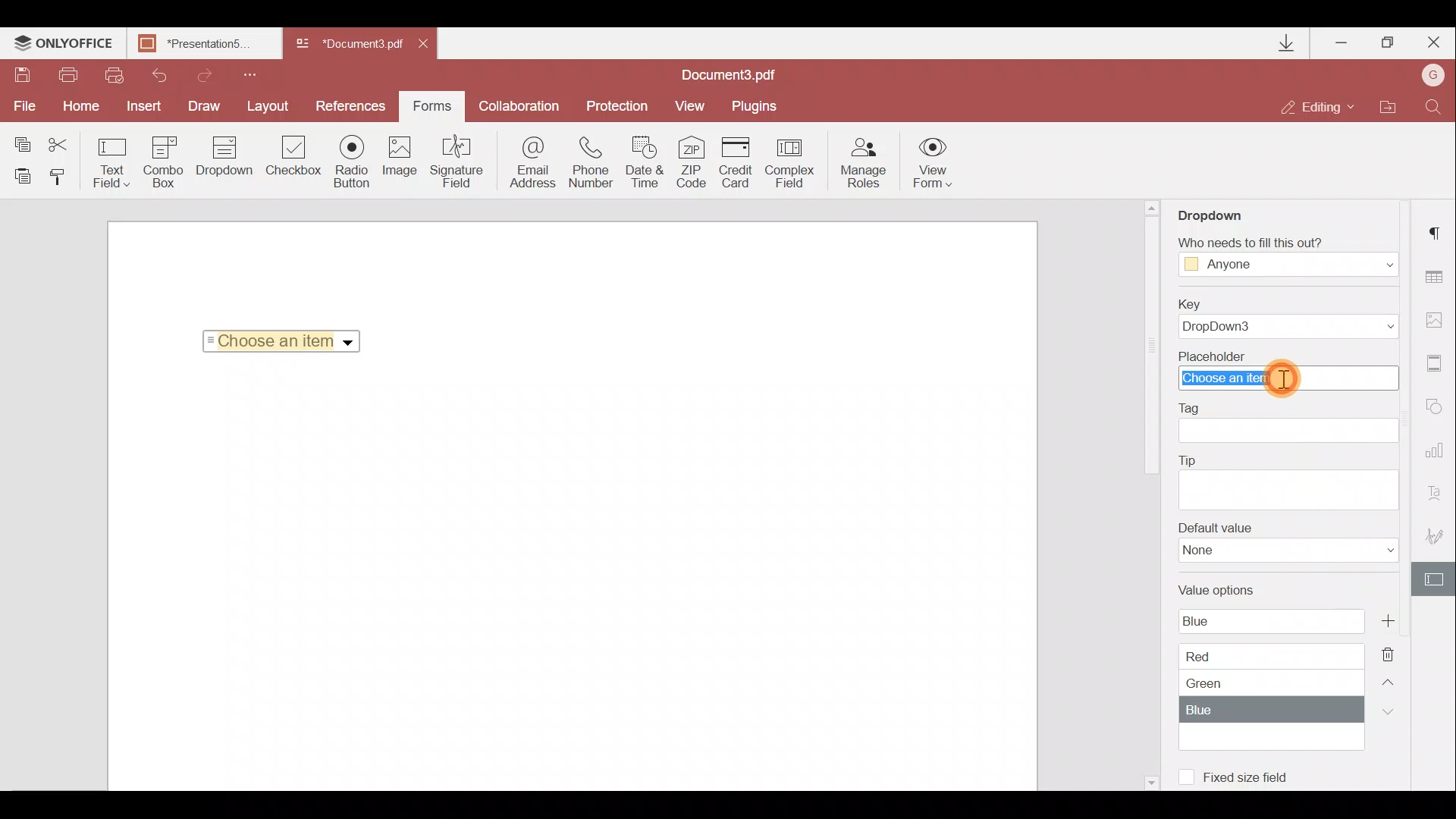 This screenshot has width=1456, height=819. I want to click on Maximize, so click(1387, 45).